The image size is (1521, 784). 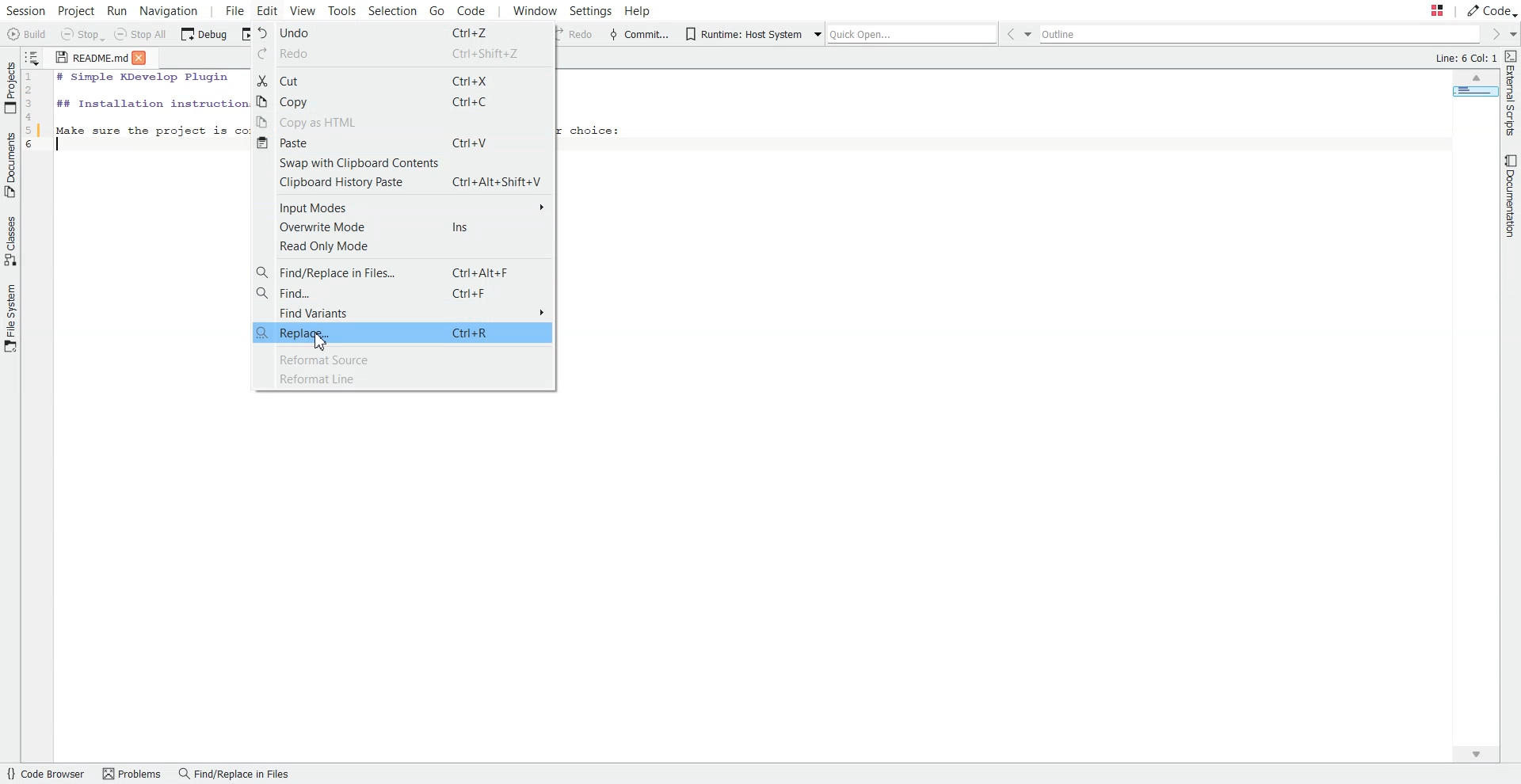 What do you see at coordinates (1476, 79) in the screenshot?
I see `Scroll up arrow` at bounding box center [1476, 79].